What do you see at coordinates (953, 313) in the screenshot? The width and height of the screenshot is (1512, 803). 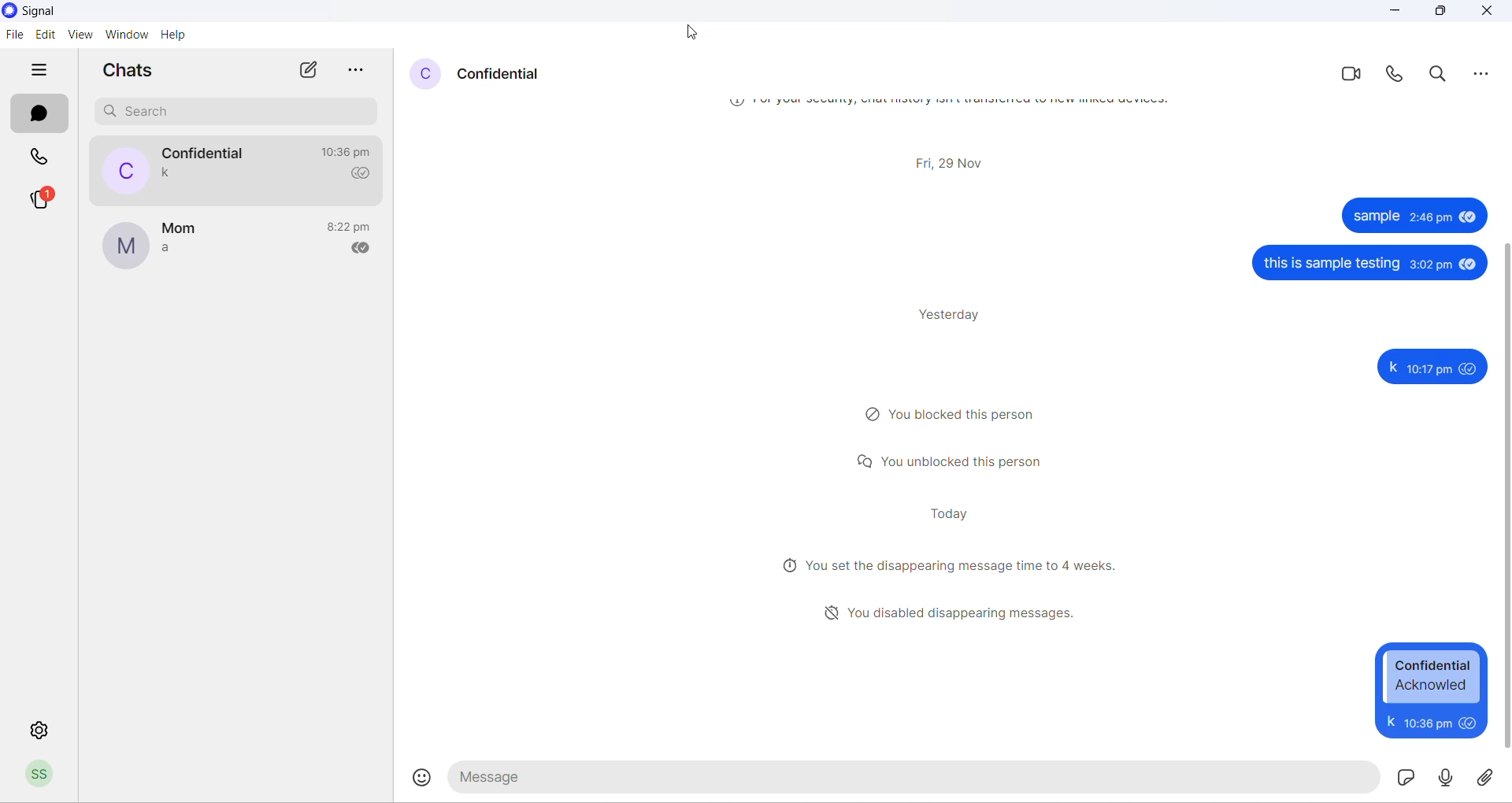 I see `yesterday` at bounding box center [953, 313].